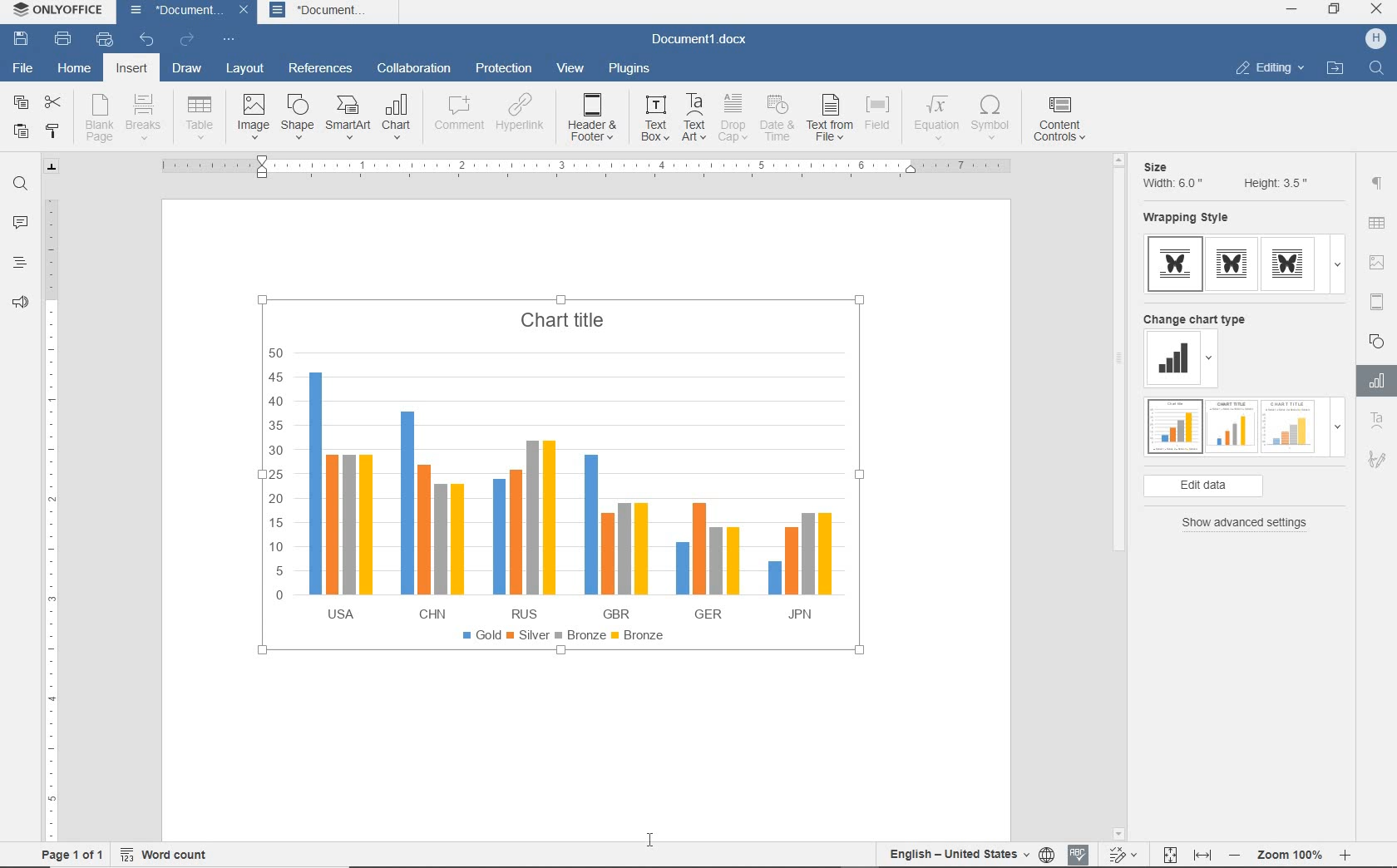  What do you see at coordinates (1191, 219) in the screenshot?
I see `wrapping style` at bounding box center [1191, 219].